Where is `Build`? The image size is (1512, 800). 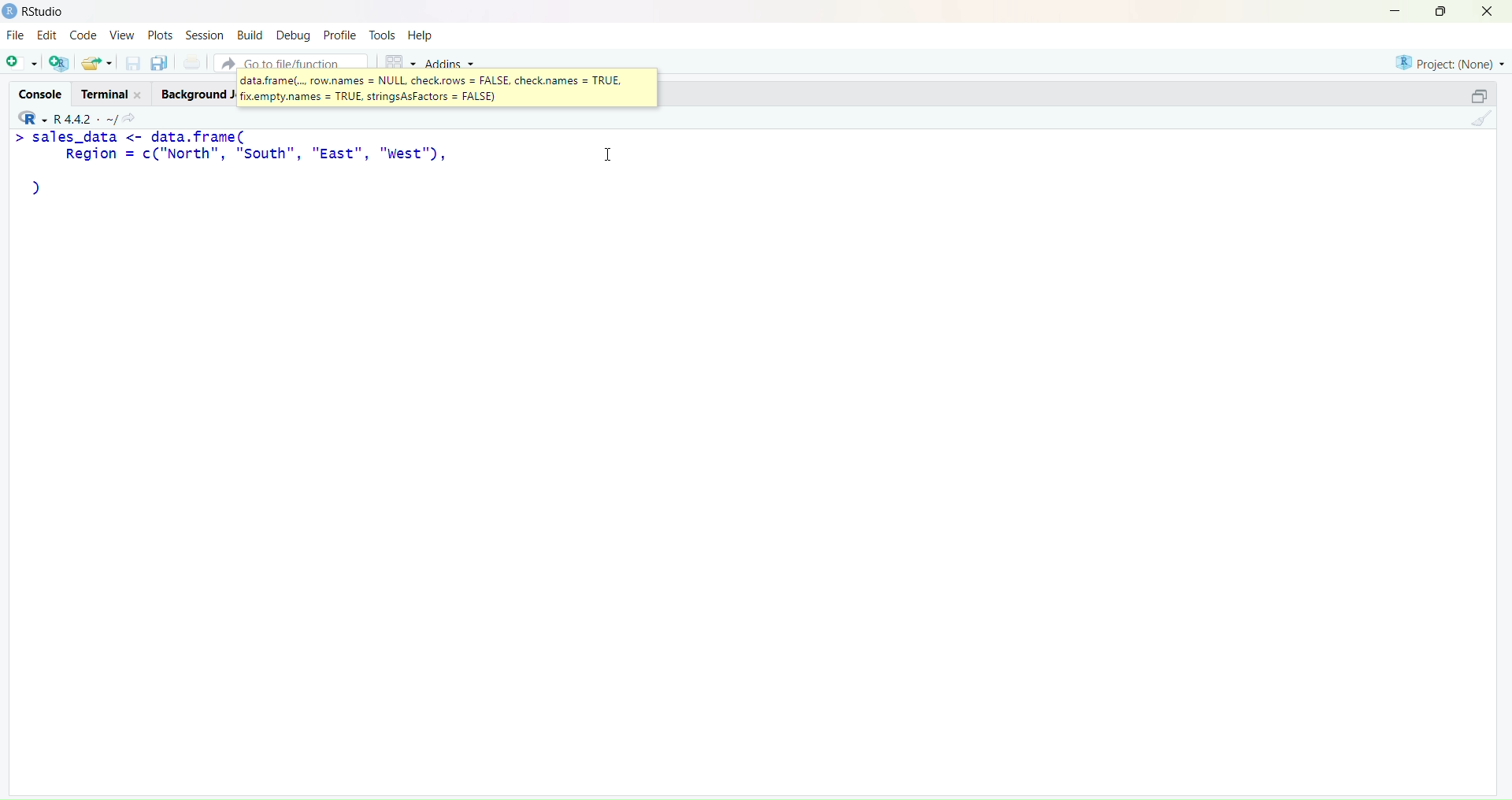
Build is located at coordinates (249, 35).